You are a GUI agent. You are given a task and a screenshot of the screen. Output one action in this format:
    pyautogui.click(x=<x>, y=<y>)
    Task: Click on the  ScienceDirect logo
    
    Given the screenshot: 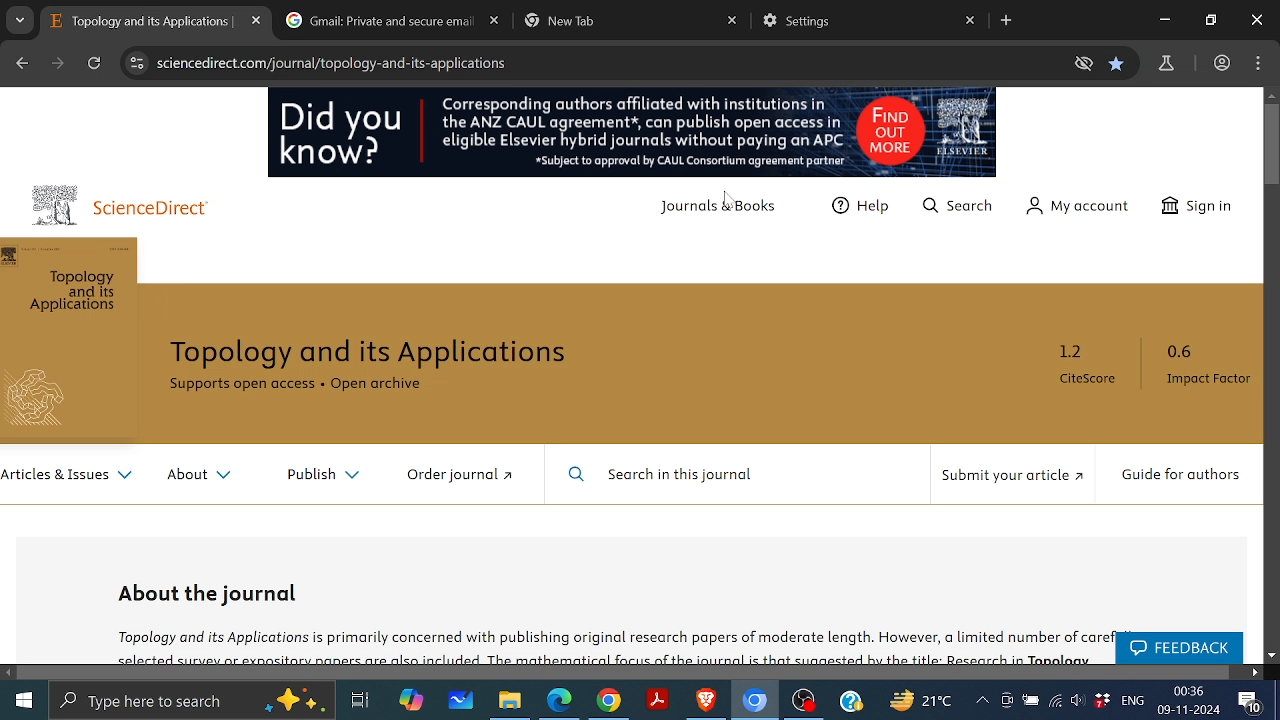 What is the action you would take?
    pyautogui.click(x=115, y=205)
    